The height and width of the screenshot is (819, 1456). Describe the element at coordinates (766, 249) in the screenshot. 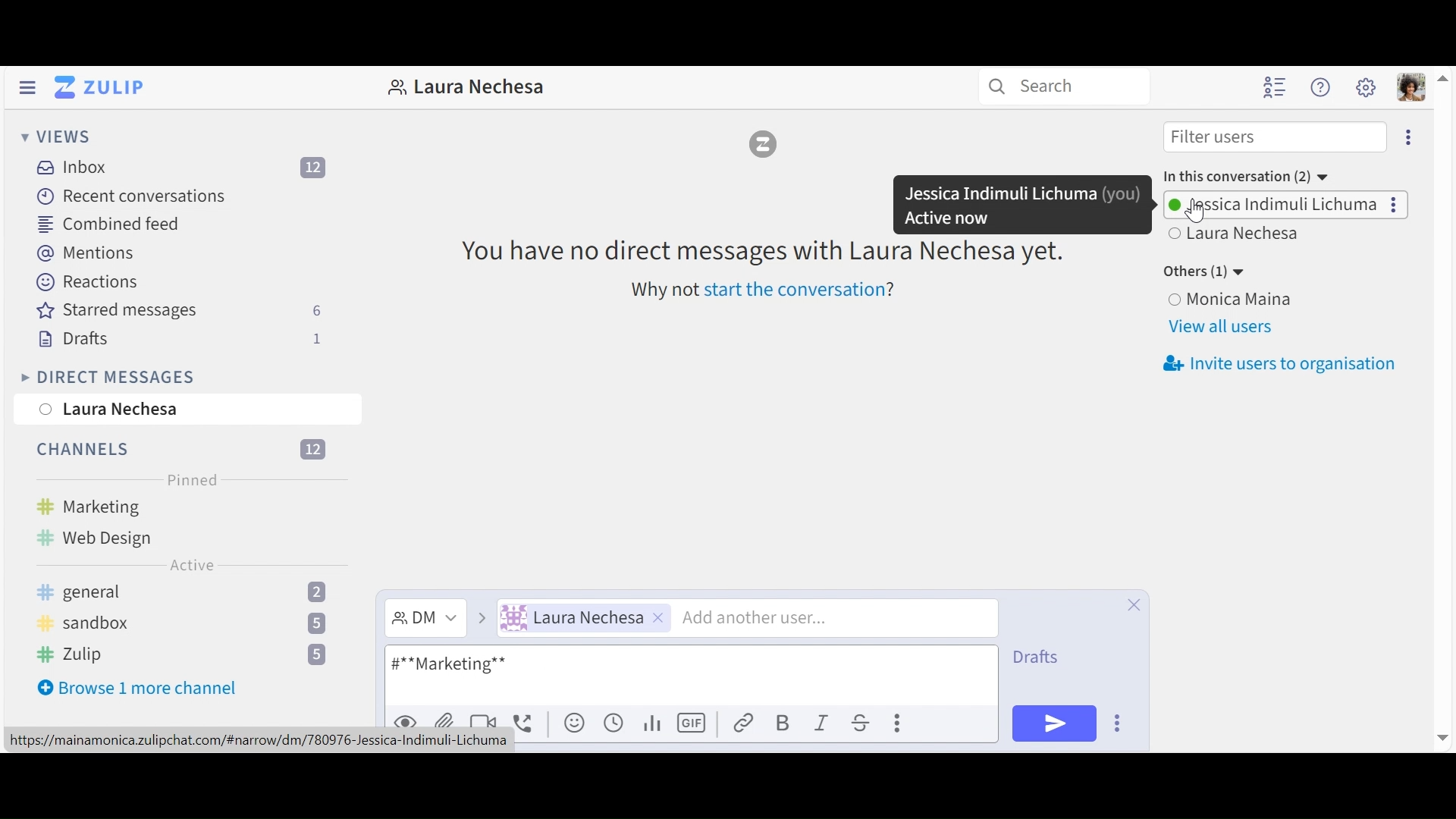

I see `You have no direct messages with Laura Nechesa yet` at that location.